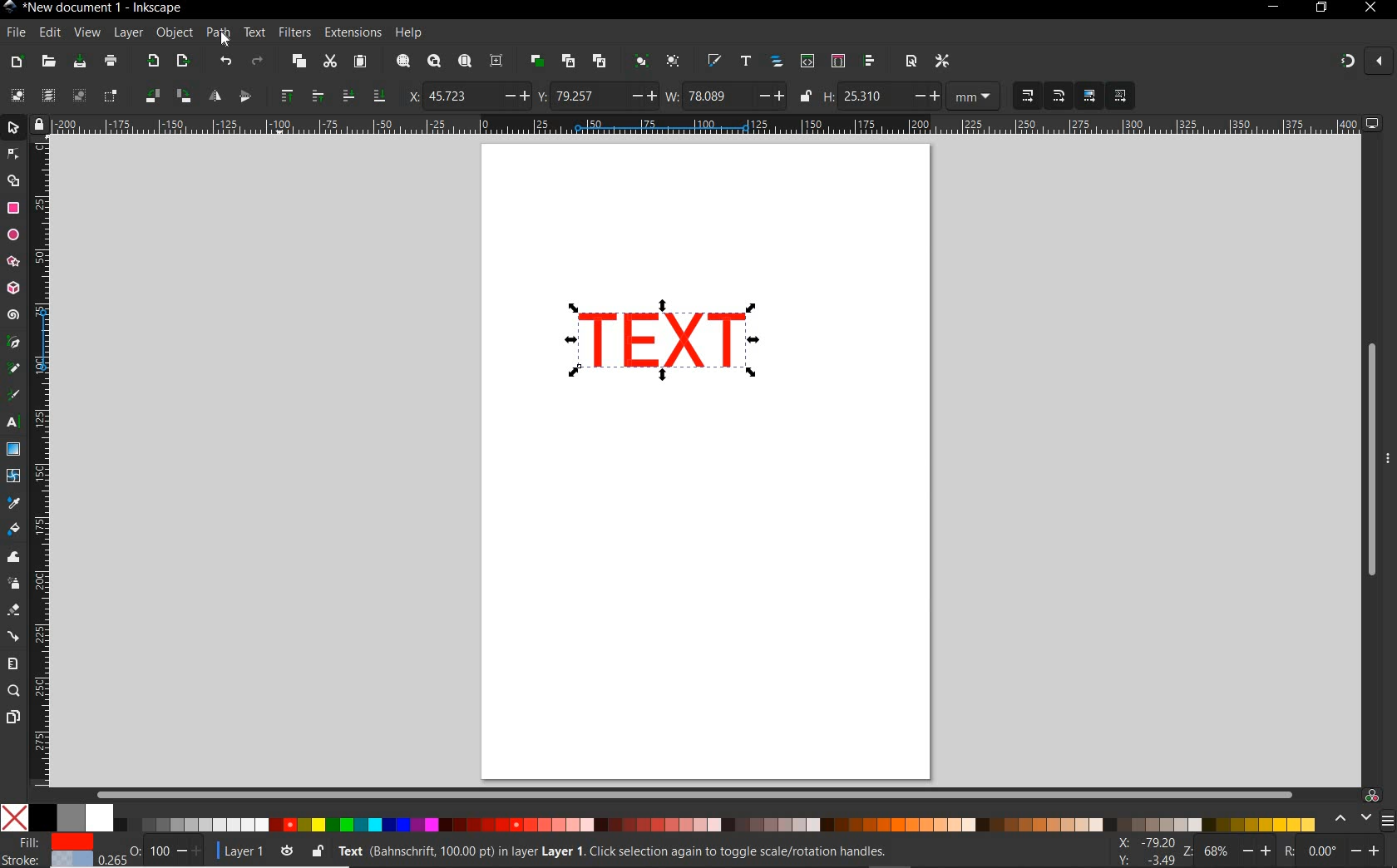  Describe the element at coordinates (15, 584) in the screenshot. I see `SPRAY TOOL` at that location.